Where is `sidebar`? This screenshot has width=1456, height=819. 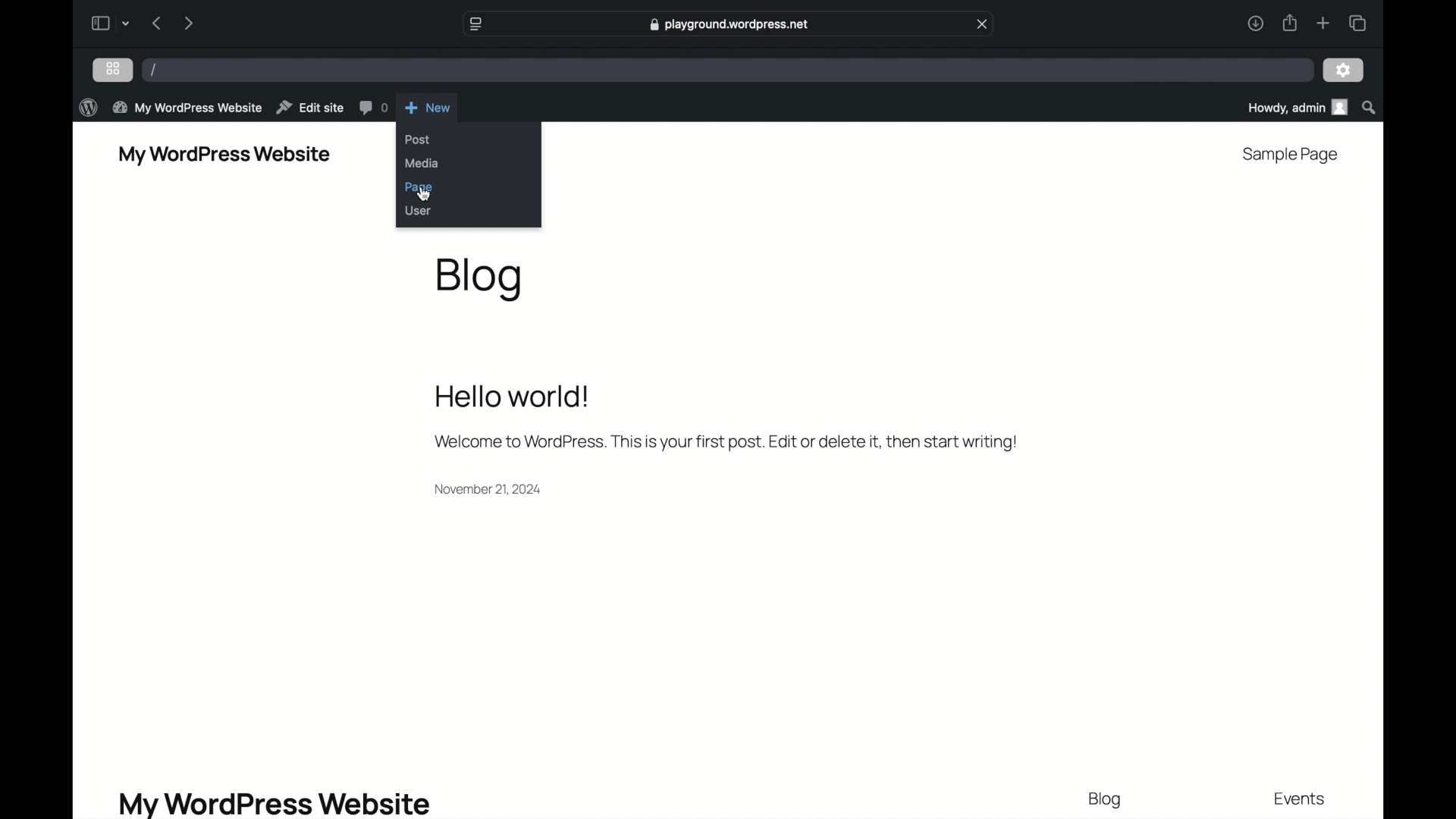 sidebar is located at coordinates (99, 23).